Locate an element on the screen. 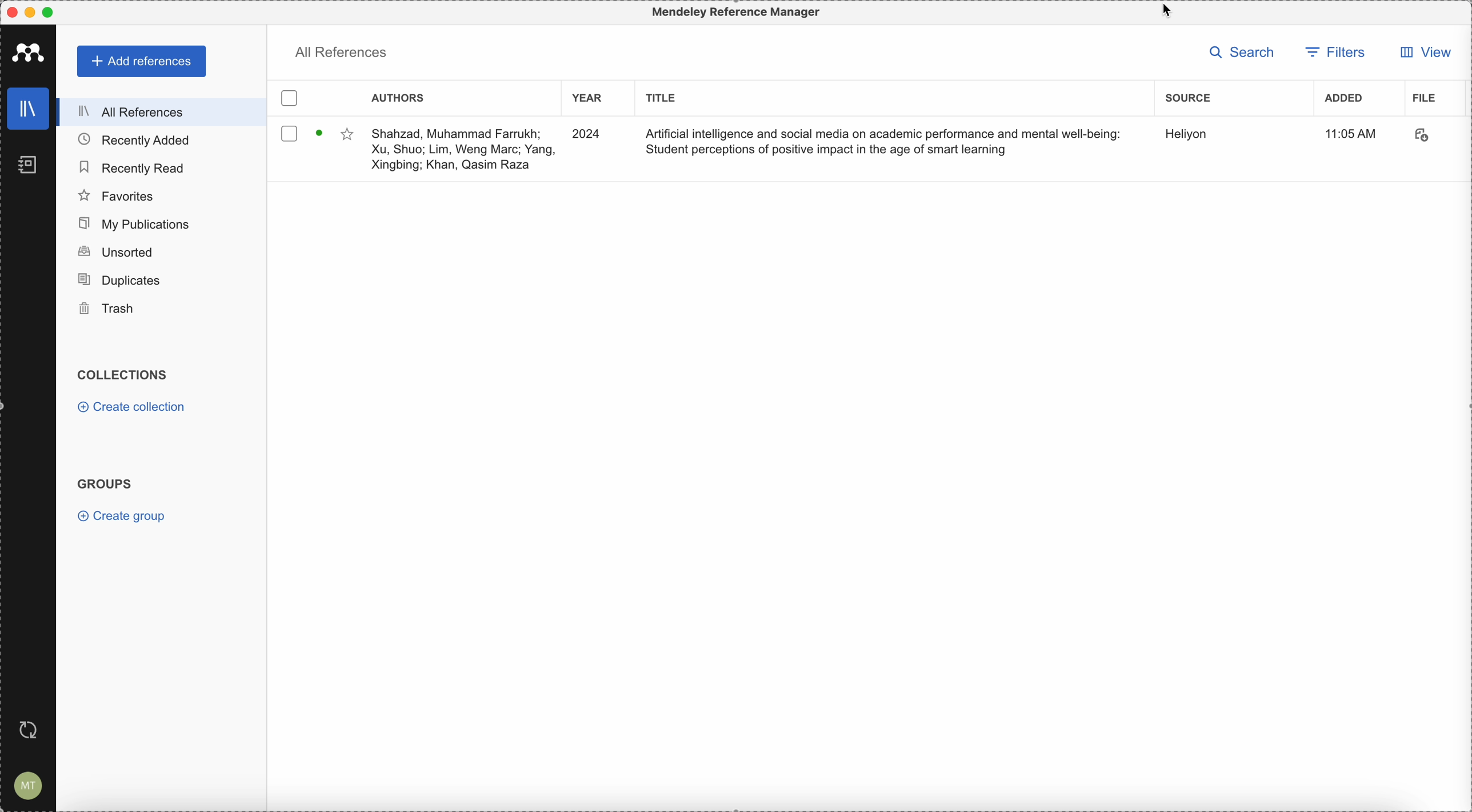 The image size is (1472, 812). last sync is located at coordinates (33, 731).